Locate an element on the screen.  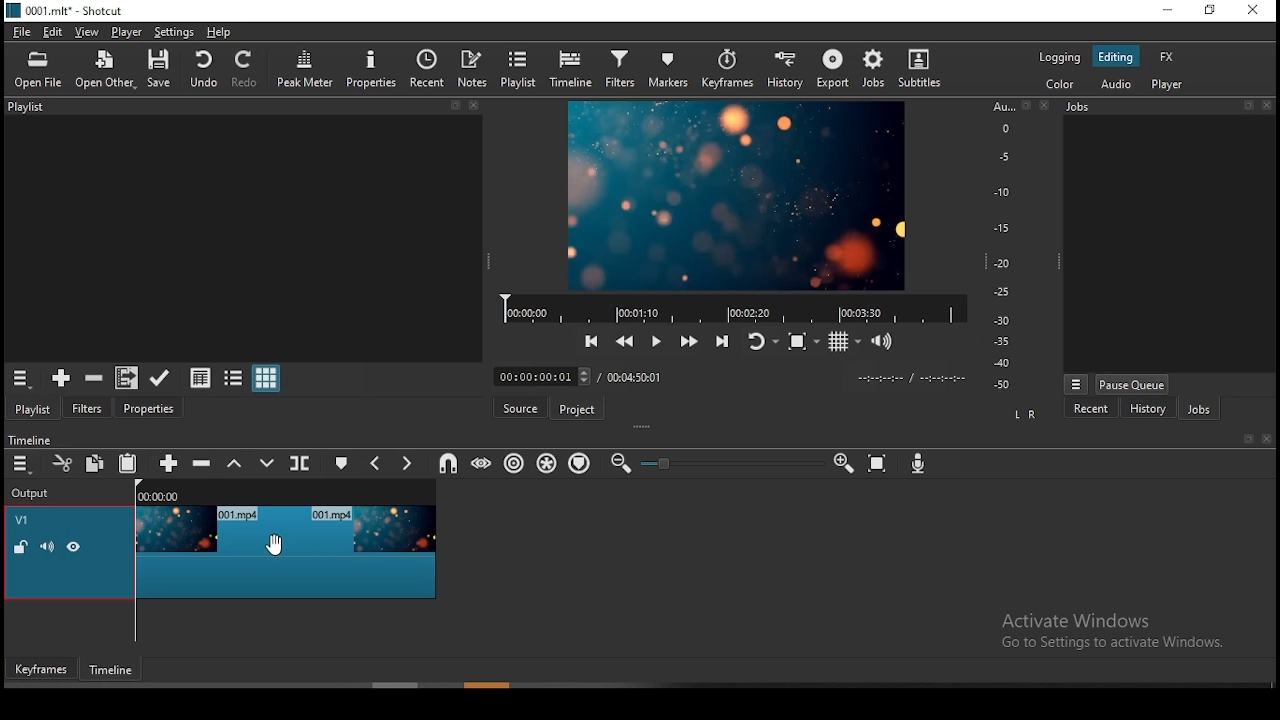
Playlist is located at coordinates (245, 107).